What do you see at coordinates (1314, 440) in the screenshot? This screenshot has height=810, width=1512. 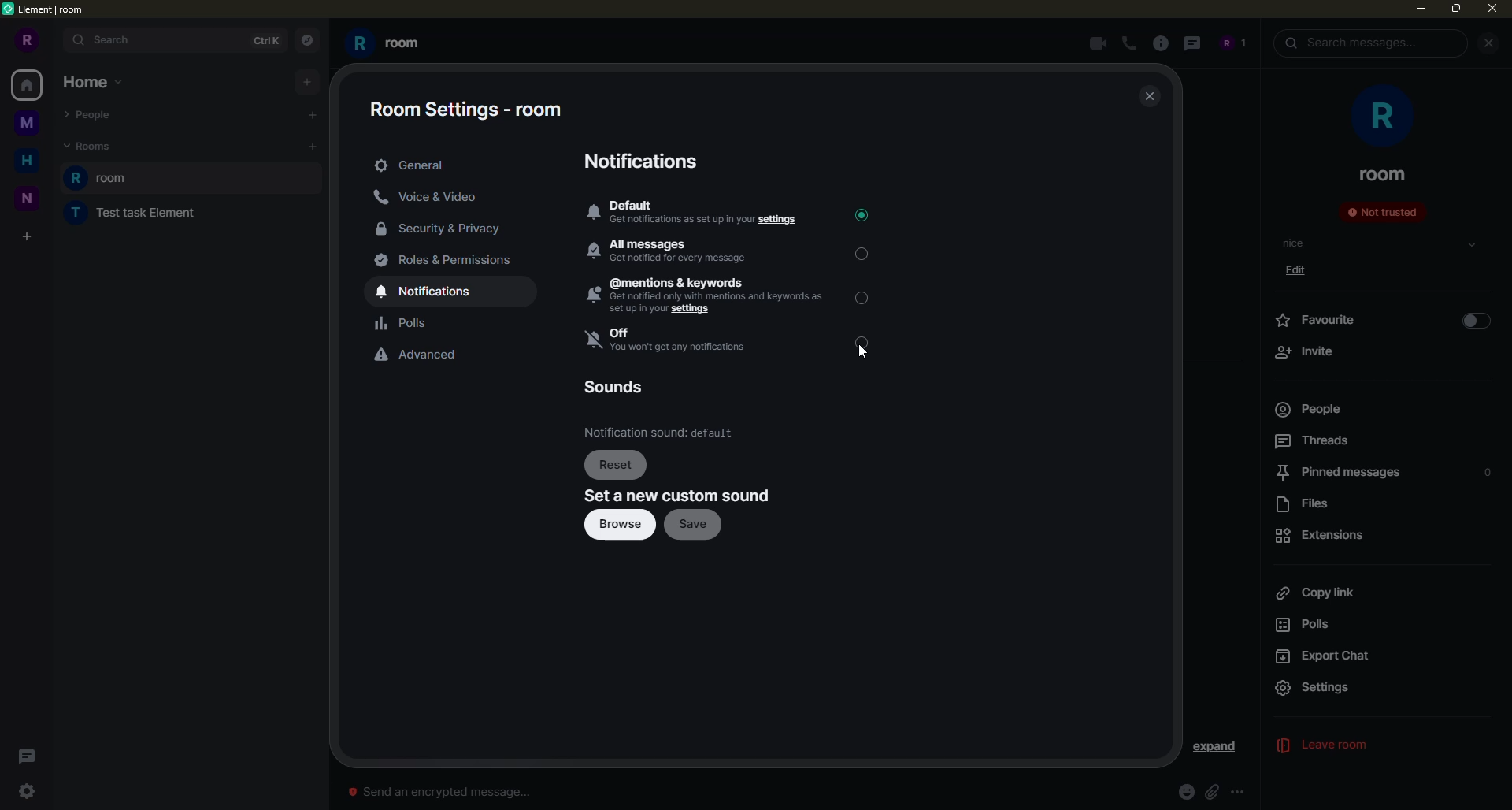 I see `threads` at bounding box center [1314, 440].